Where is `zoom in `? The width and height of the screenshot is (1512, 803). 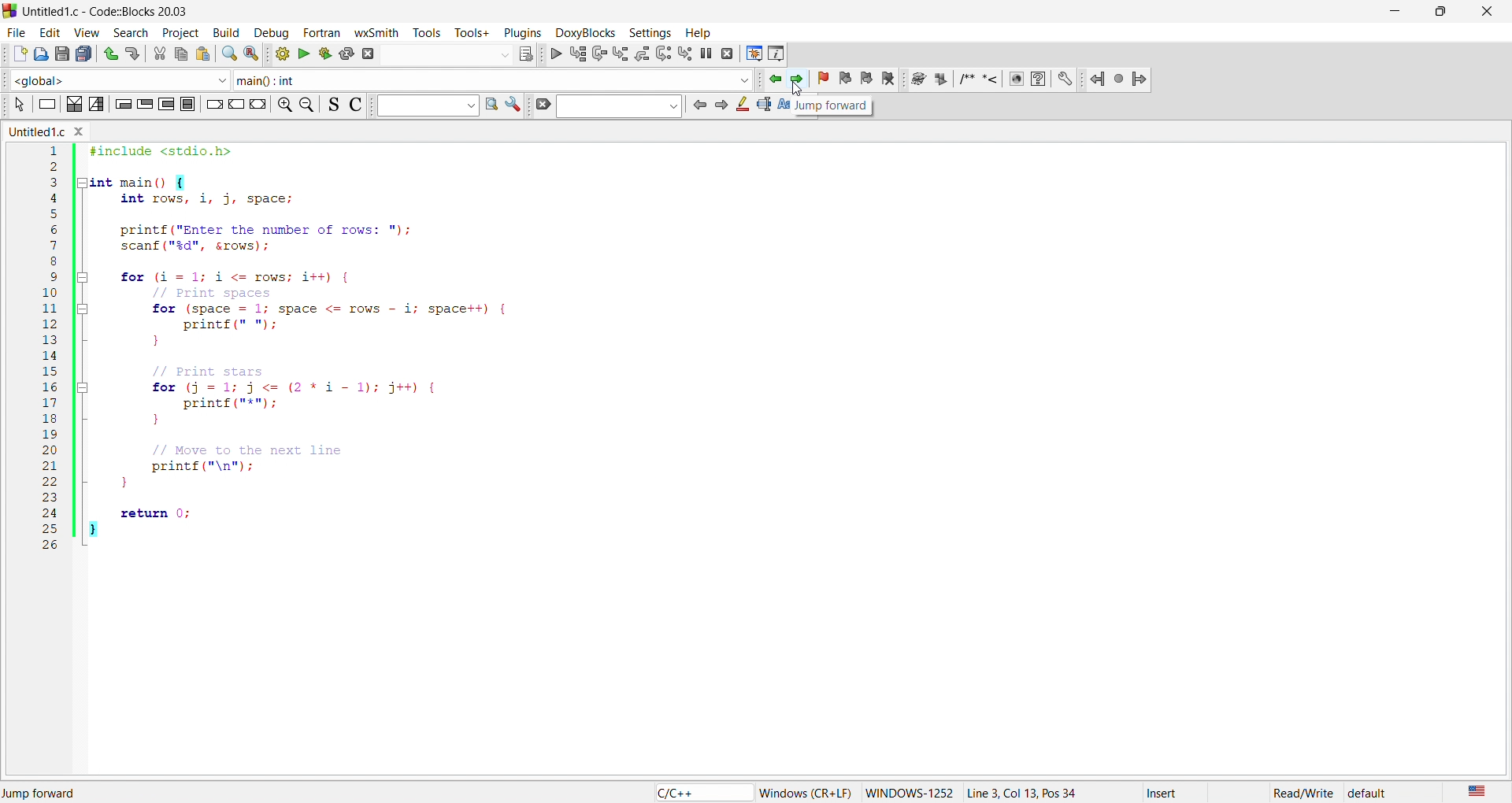 zoom in  is located at coordinates (285, 105).